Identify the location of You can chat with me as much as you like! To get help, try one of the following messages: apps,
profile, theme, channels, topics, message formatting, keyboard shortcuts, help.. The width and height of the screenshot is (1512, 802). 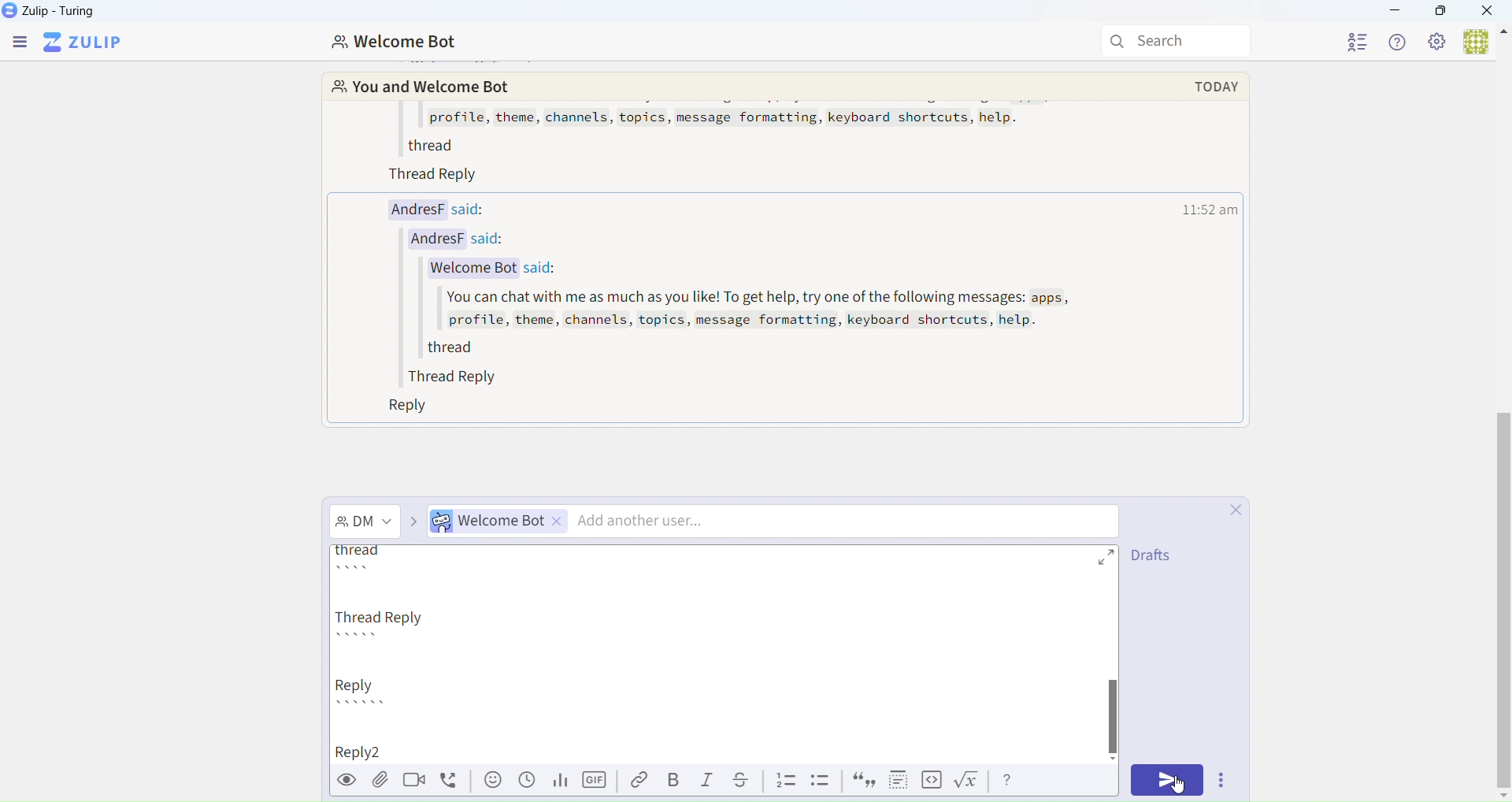
(756, 310).